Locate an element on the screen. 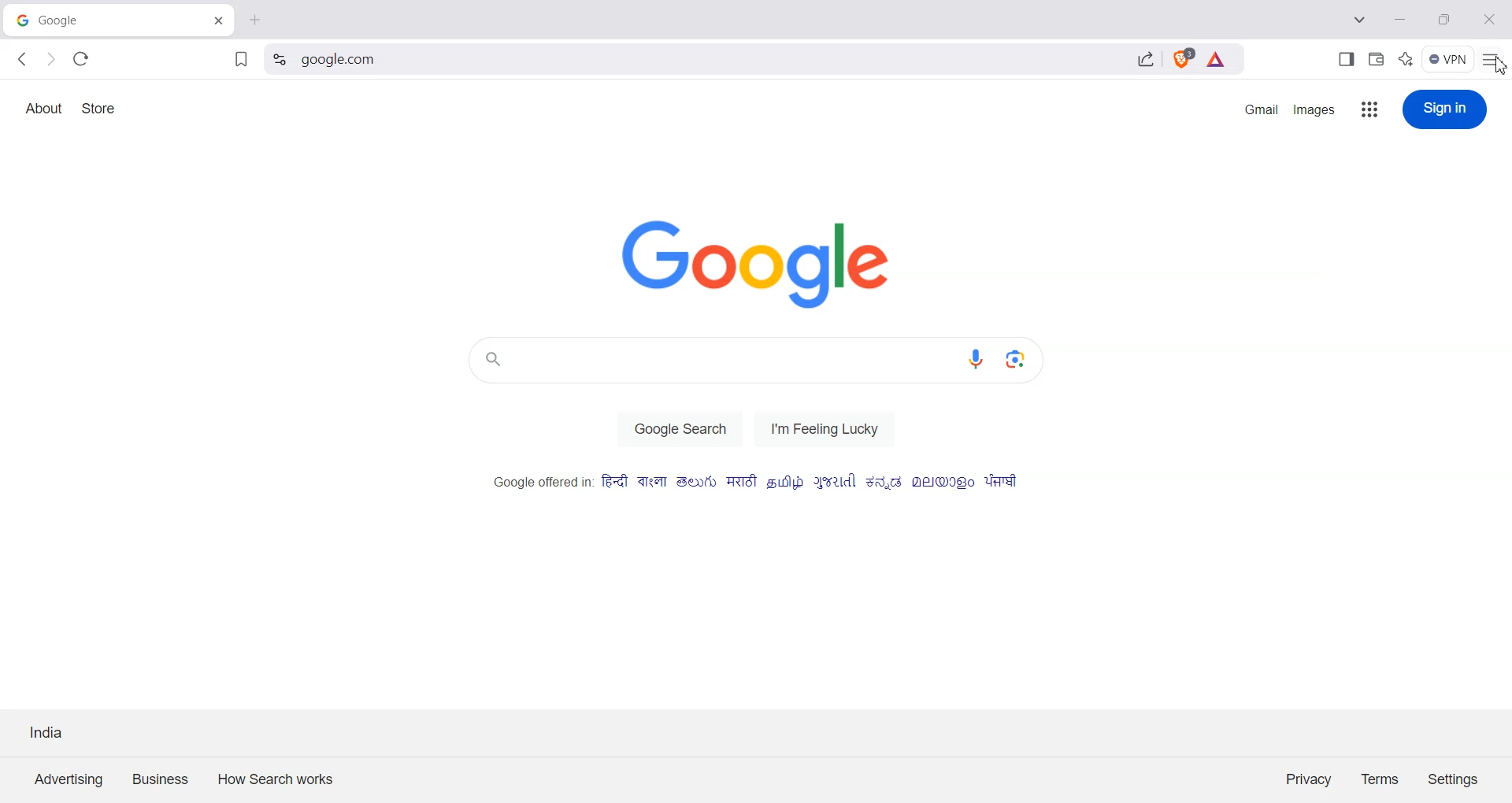 The height and width of the screenshot is (803, 1512). Share is located at coordinates (1146, 61).